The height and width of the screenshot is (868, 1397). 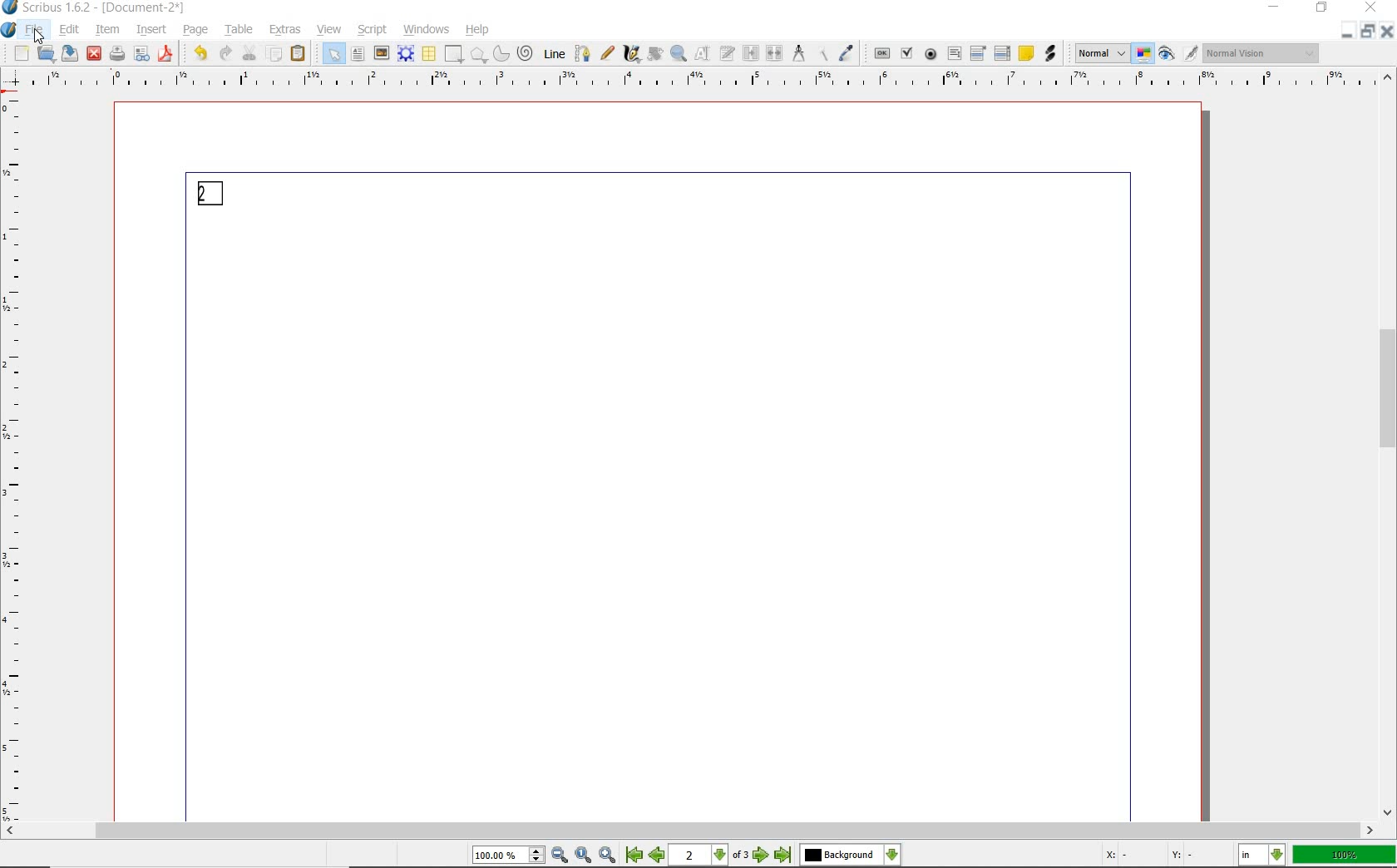 I want to click on pdf radio button, so click(x=931, y=54).